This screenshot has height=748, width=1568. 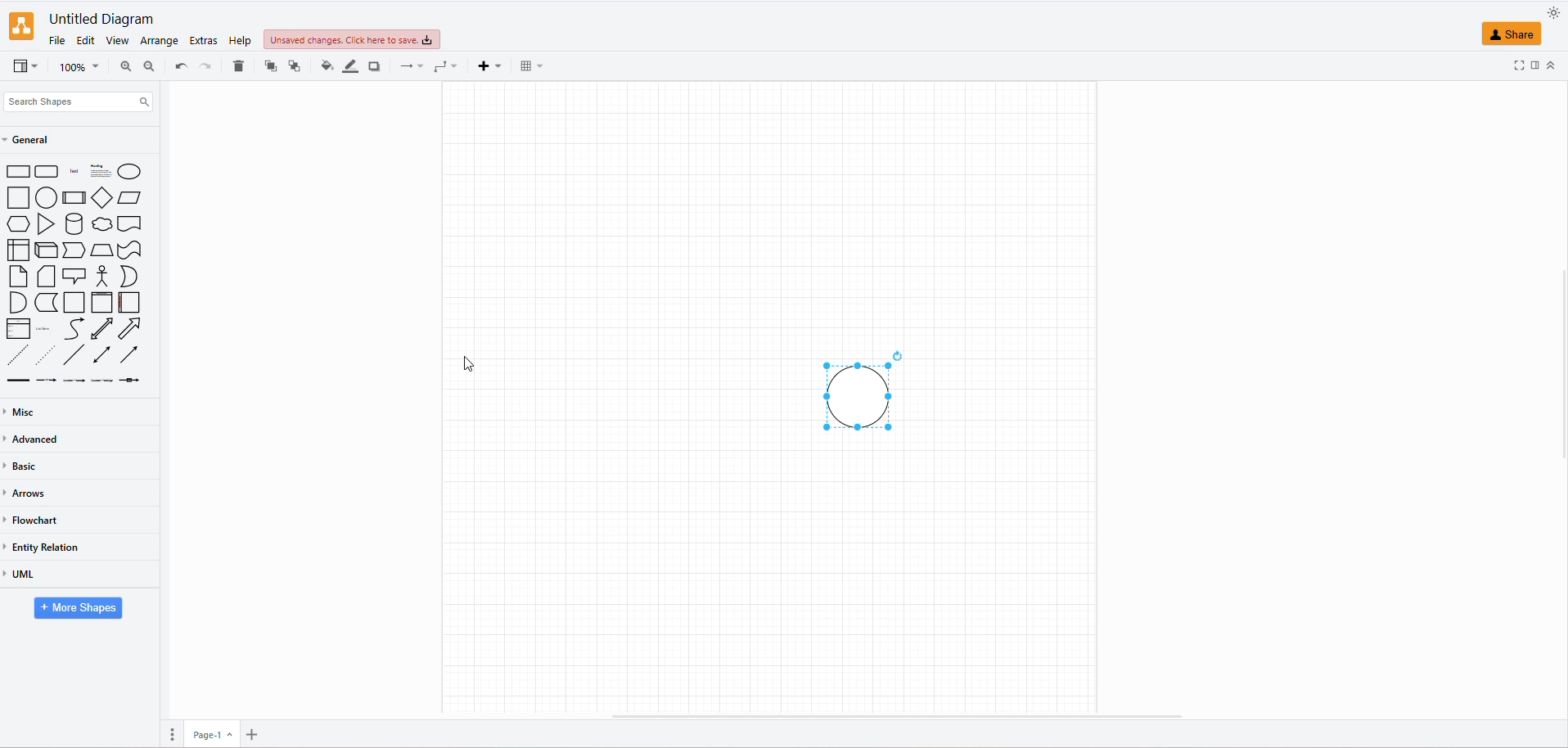 What do you see at coordinates (44, 223) in the screenshot?
I see `TRIANGLE` at bounding box center [44, 223].